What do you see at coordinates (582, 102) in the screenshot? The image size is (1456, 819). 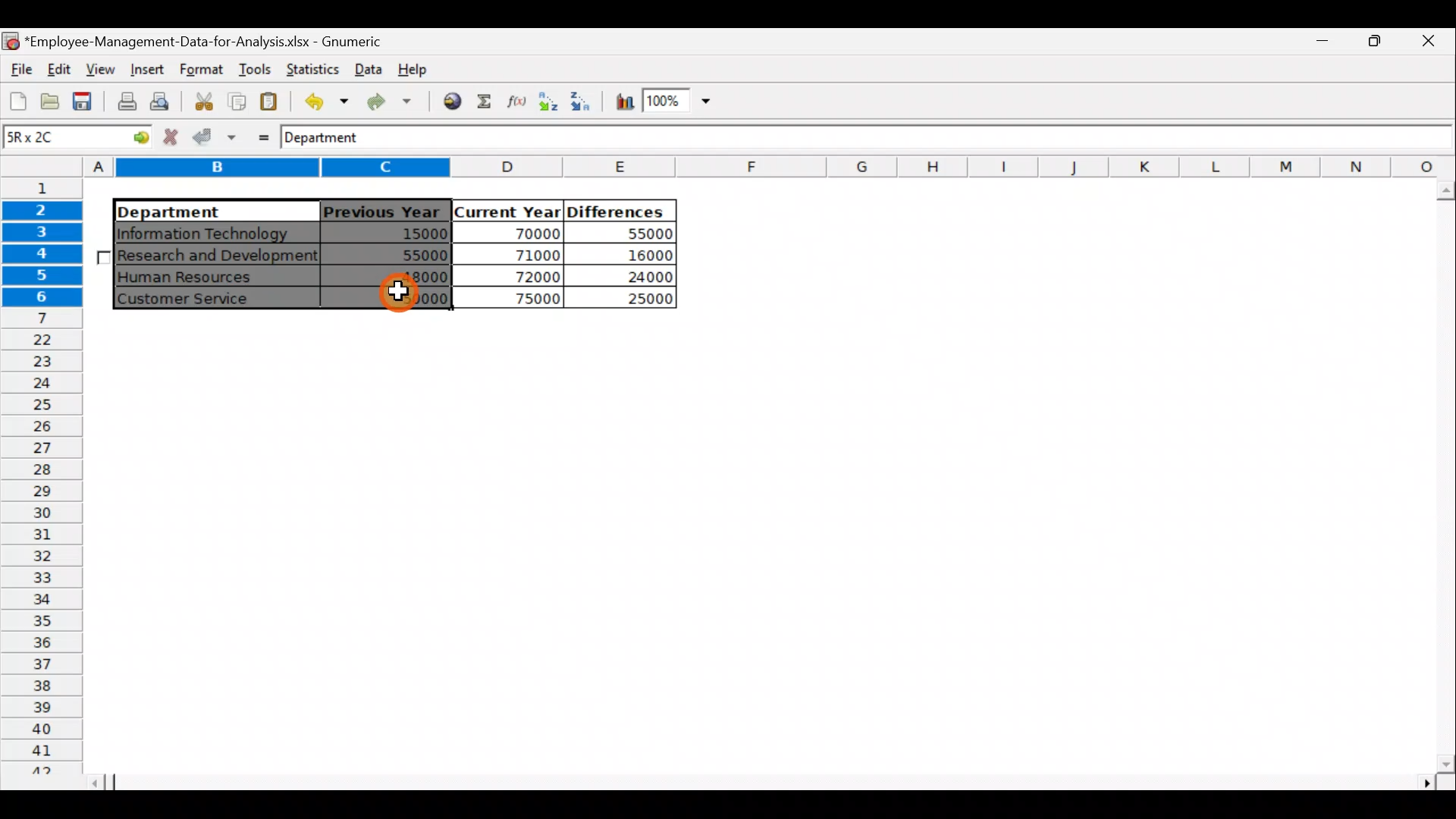 I see `Sort in descending order` at bounding box center [582, 102].